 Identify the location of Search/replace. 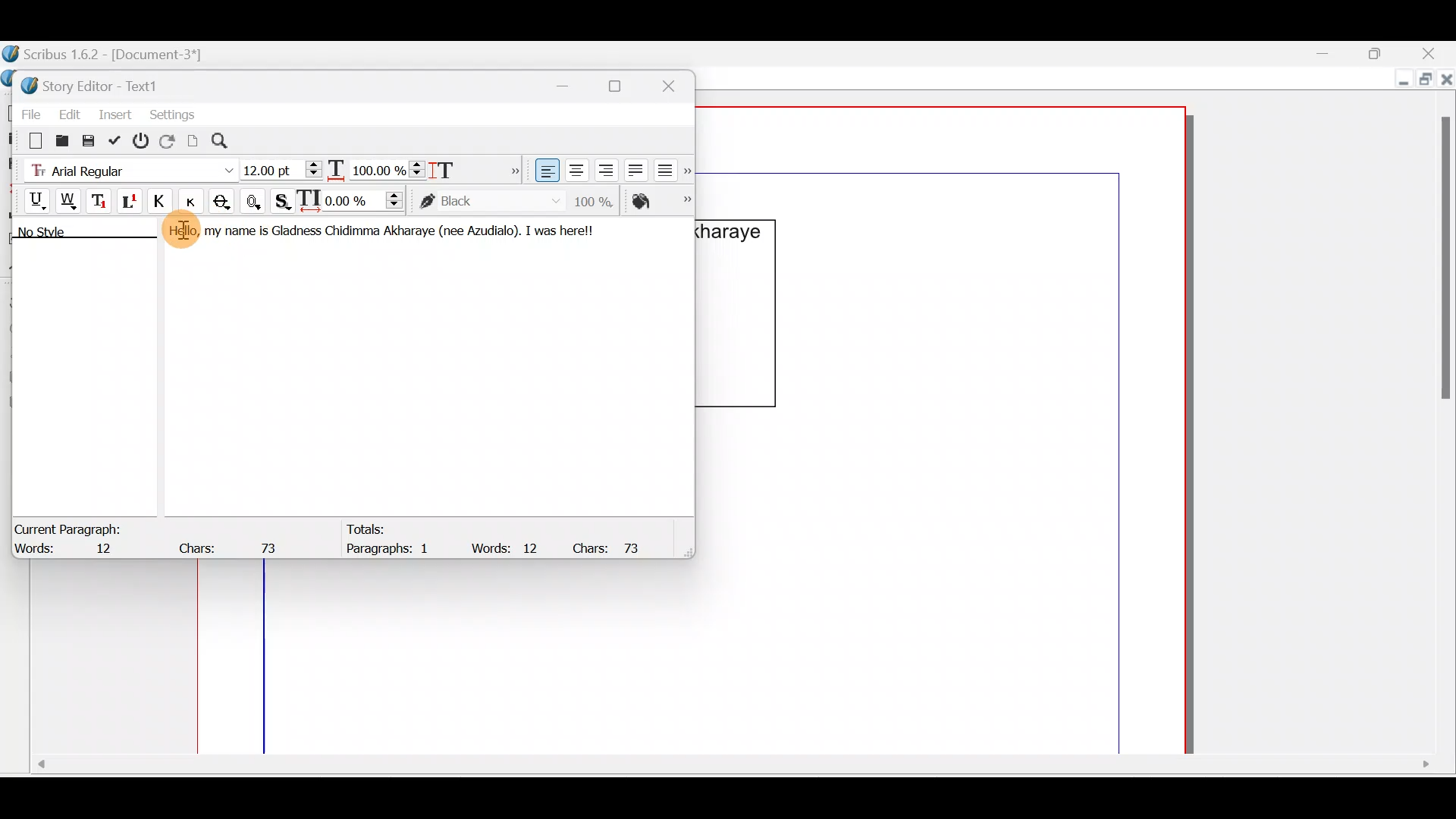
(228, 141).